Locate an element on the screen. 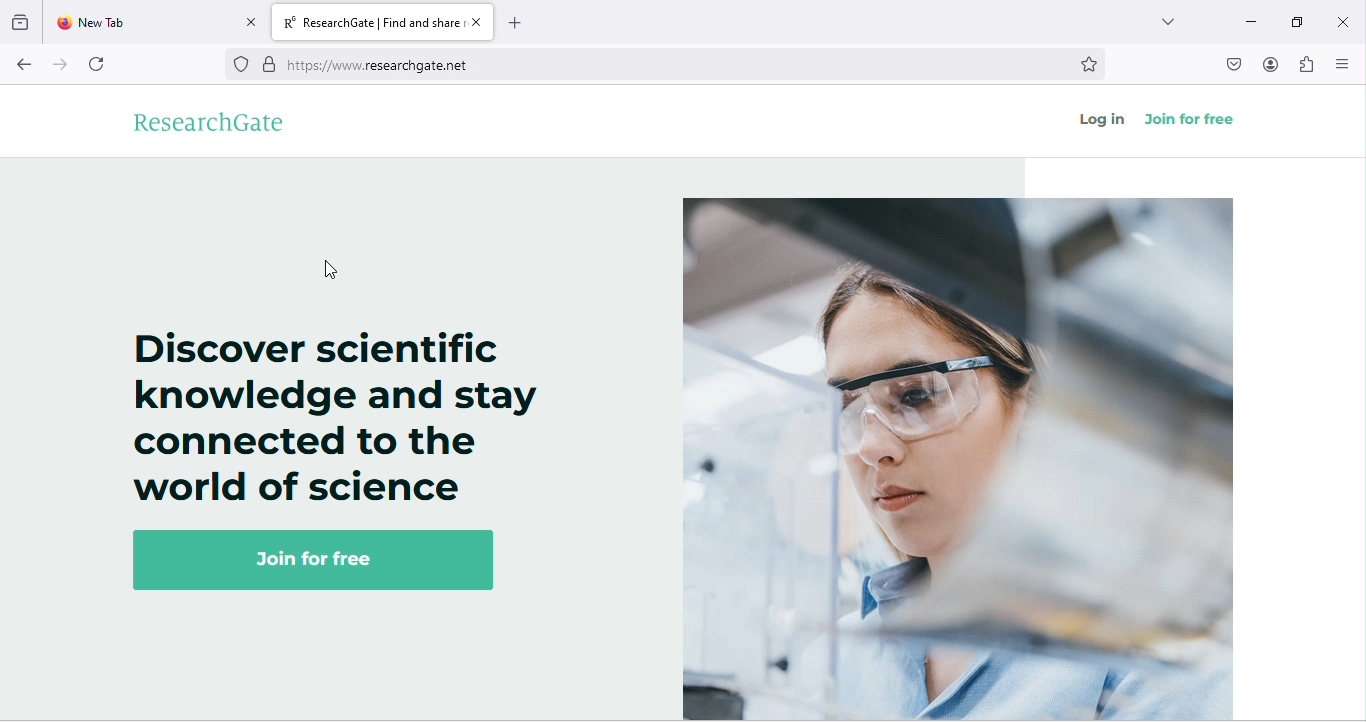 Image resolution: width=1366 pixels, height=722 pixels. new tab is located at coordinates (155, 24).